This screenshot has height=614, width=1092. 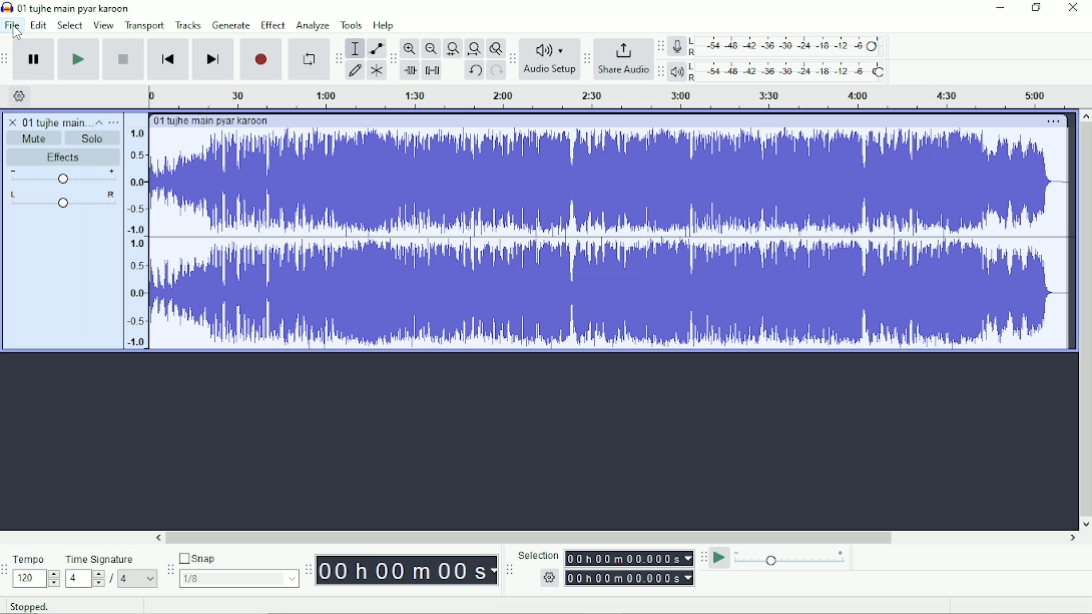 I want to click on Horizontal scrollbar, so click(x=615, y=539).